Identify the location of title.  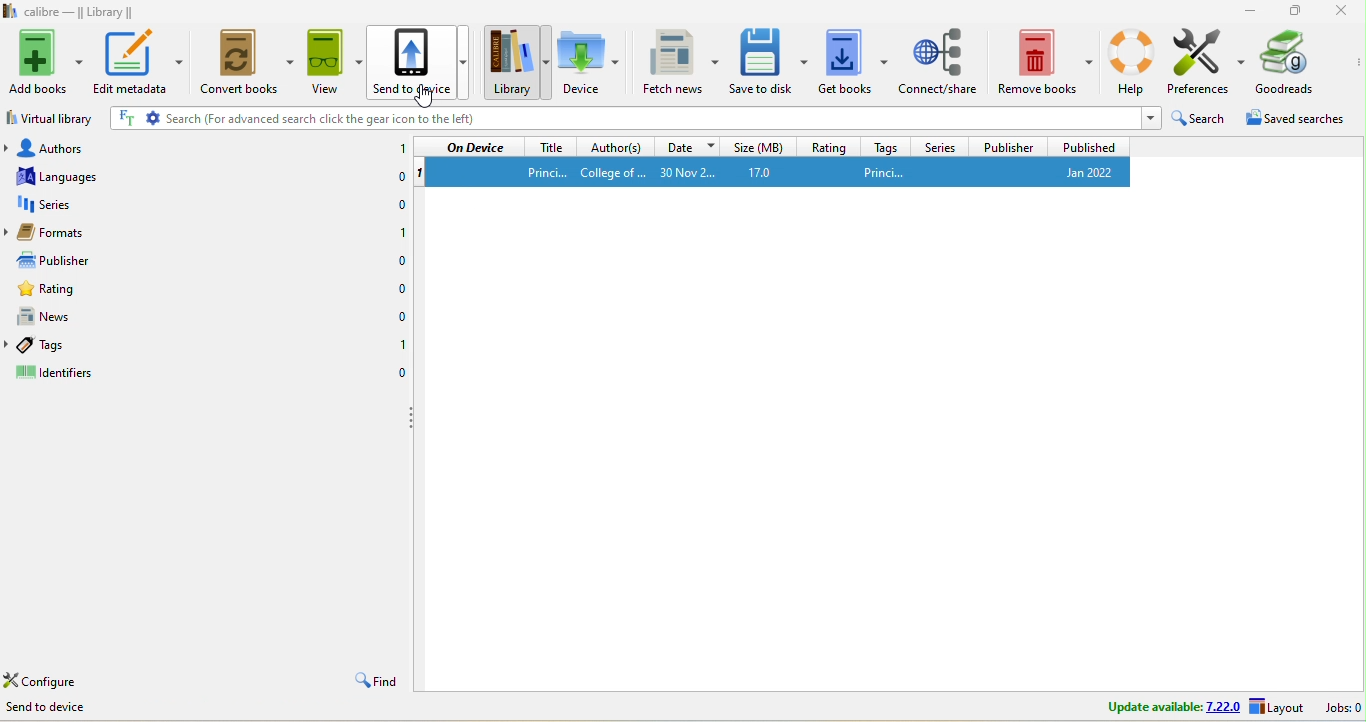
(552, 147).